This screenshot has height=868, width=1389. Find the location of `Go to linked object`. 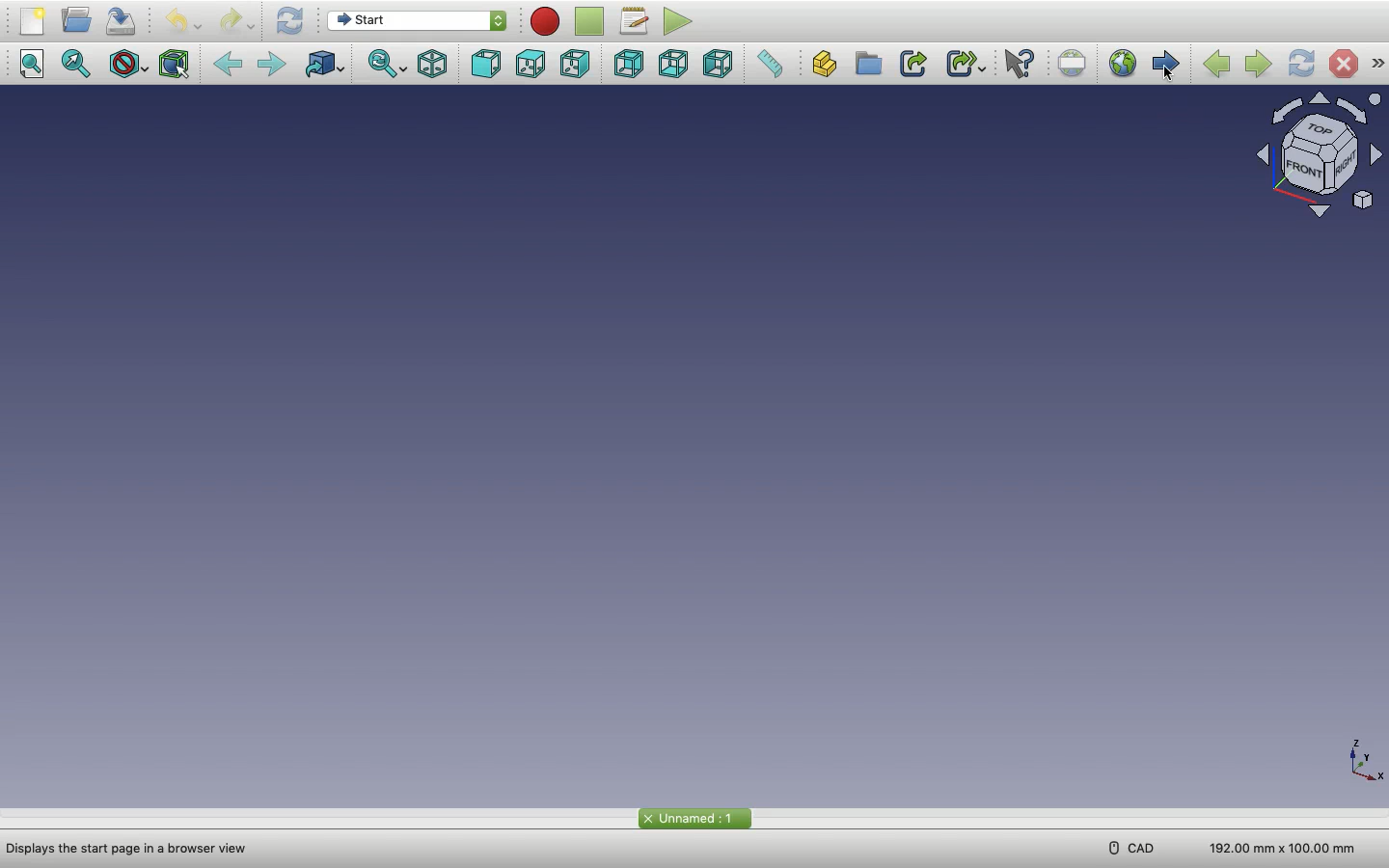

Go to linked object is located at coordinates (323, 64).